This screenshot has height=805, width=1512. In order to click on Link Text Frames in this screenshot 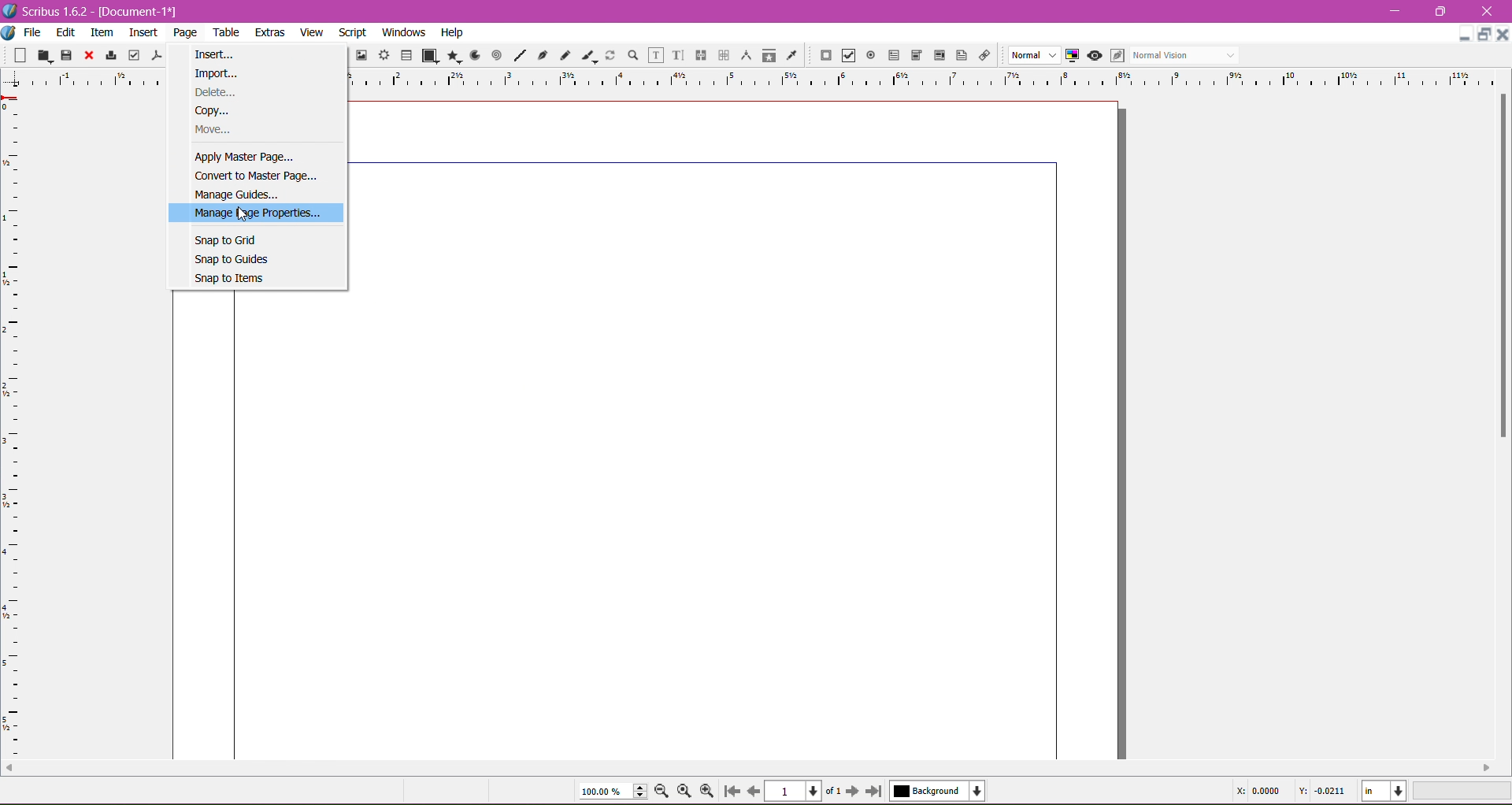, I will do `click(699, 55)`.